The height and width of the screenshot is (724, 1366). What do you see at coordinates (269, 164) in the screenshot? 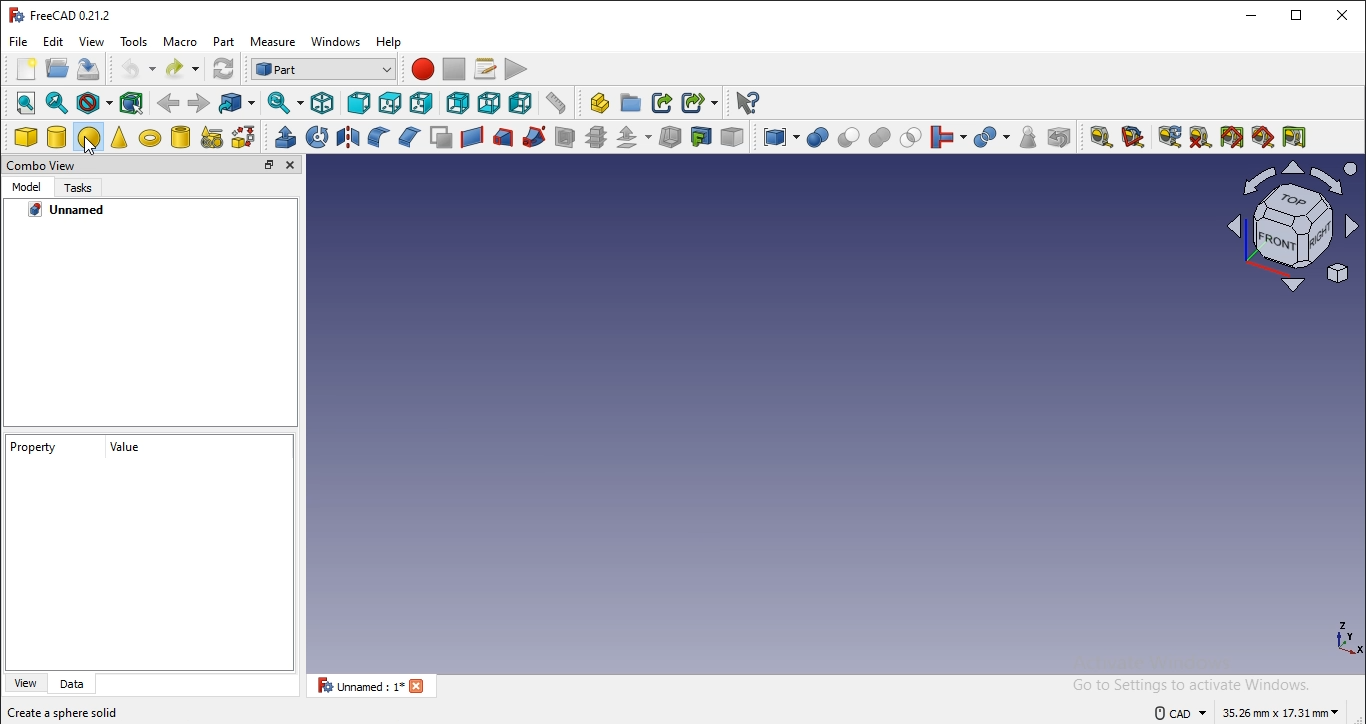
I see `restore` at bounding box center [269, 164].